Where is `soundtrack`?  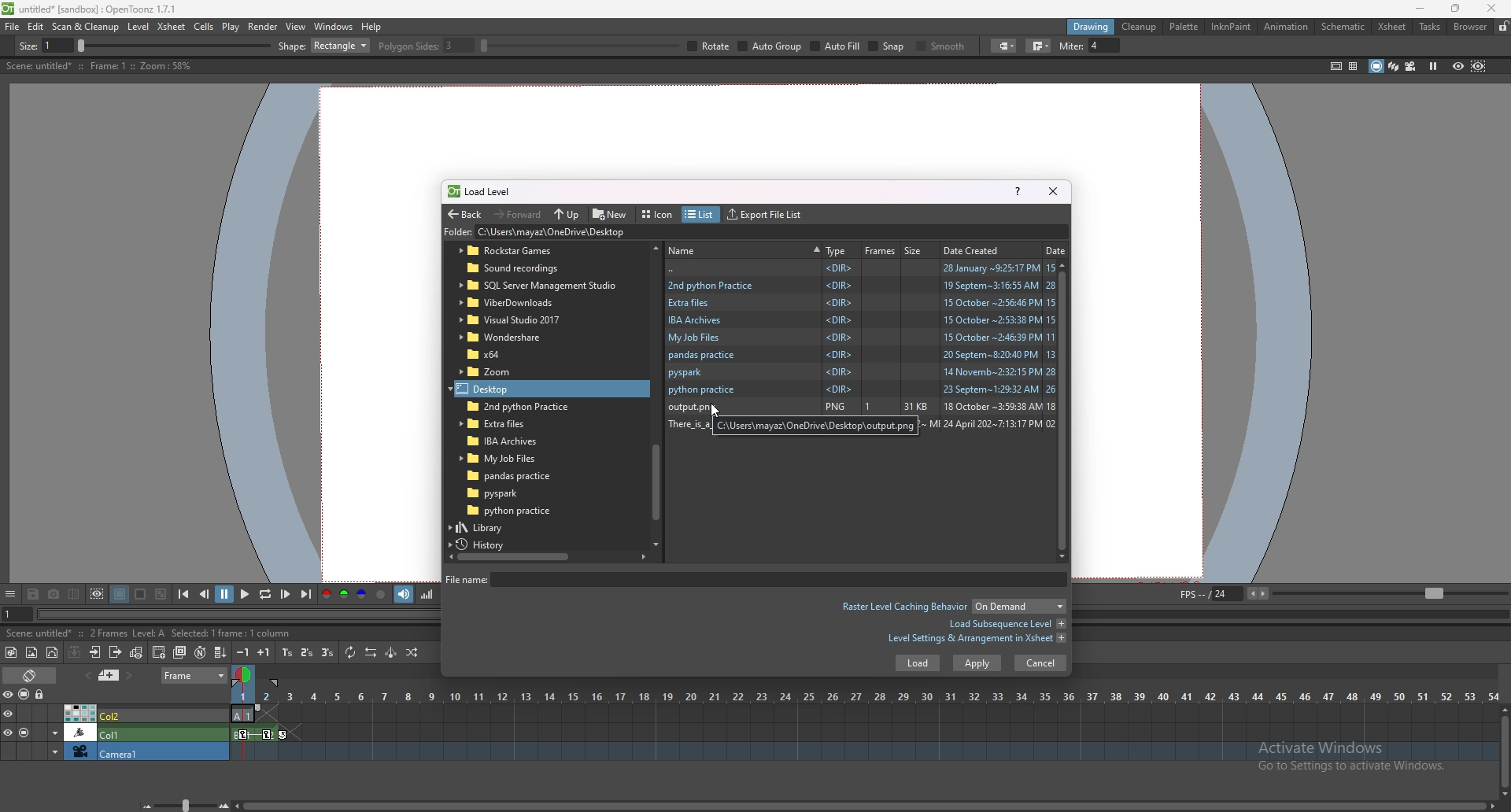
soundtrack is located at coordinates (405, 593).